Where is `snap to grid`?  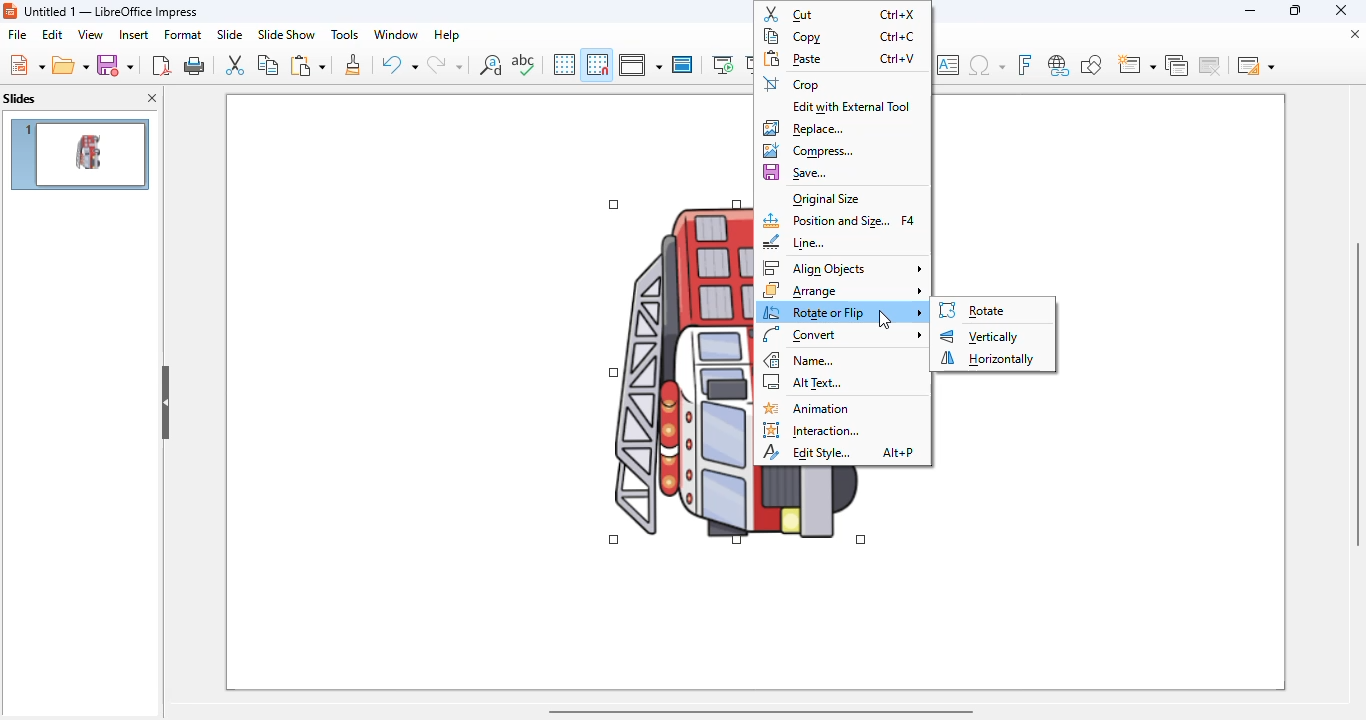
snap to grid is located at coordinates (598, 64).